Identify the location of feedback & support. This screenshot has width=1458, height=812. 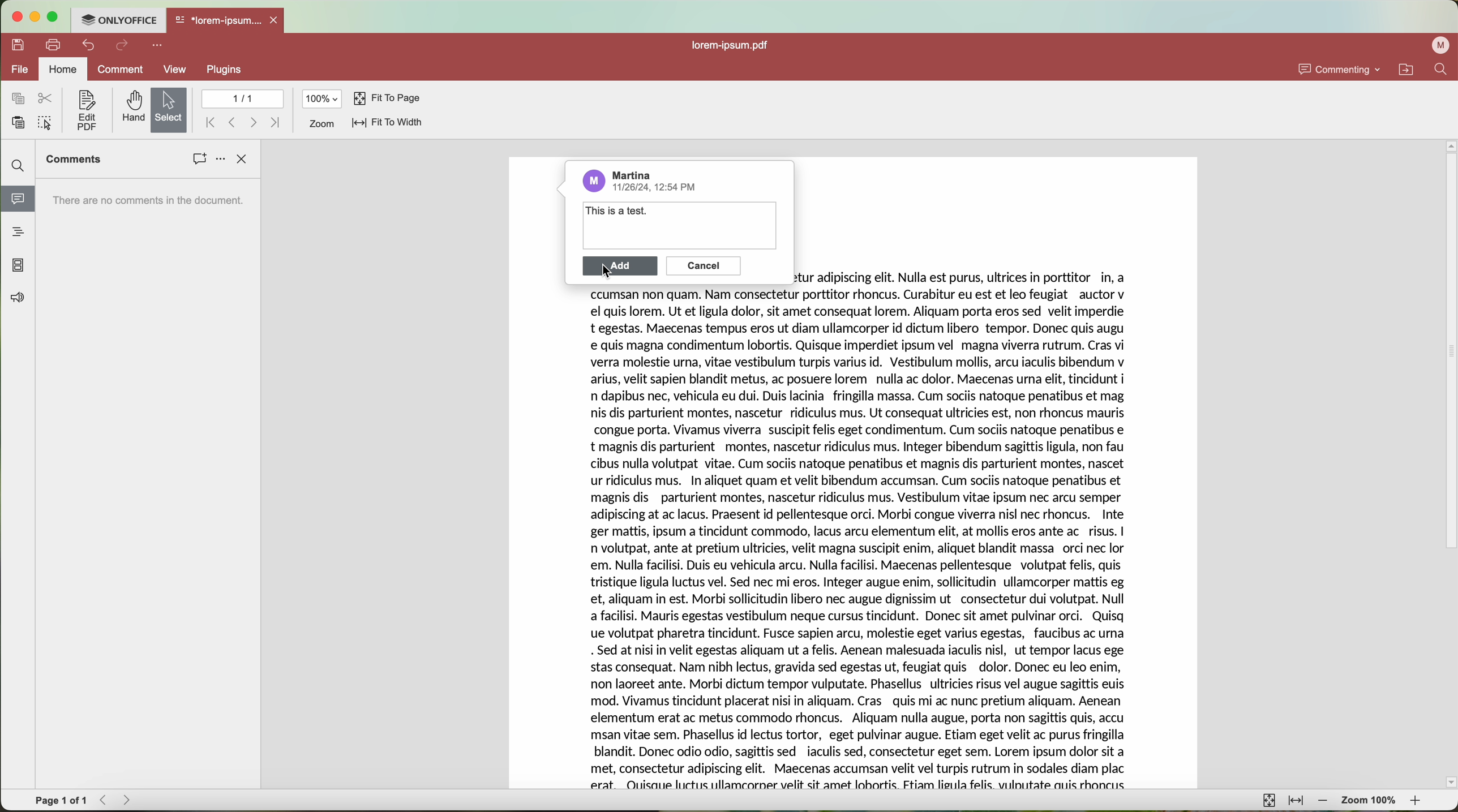
(18, 299).